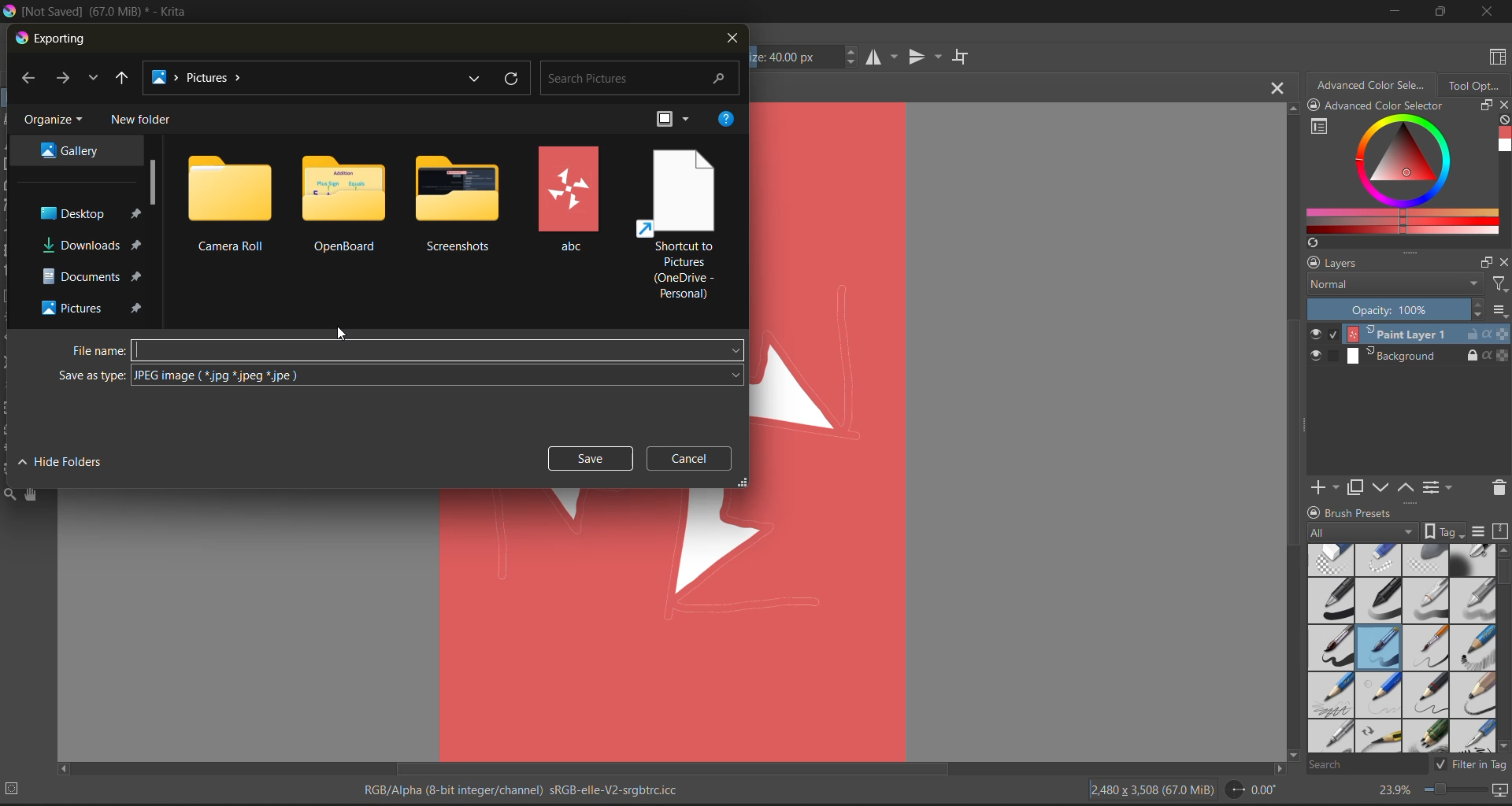 Image resolution: width=1512 pixels, height=806 pixels. I want to click on map the canvas, so click(1499, 792).